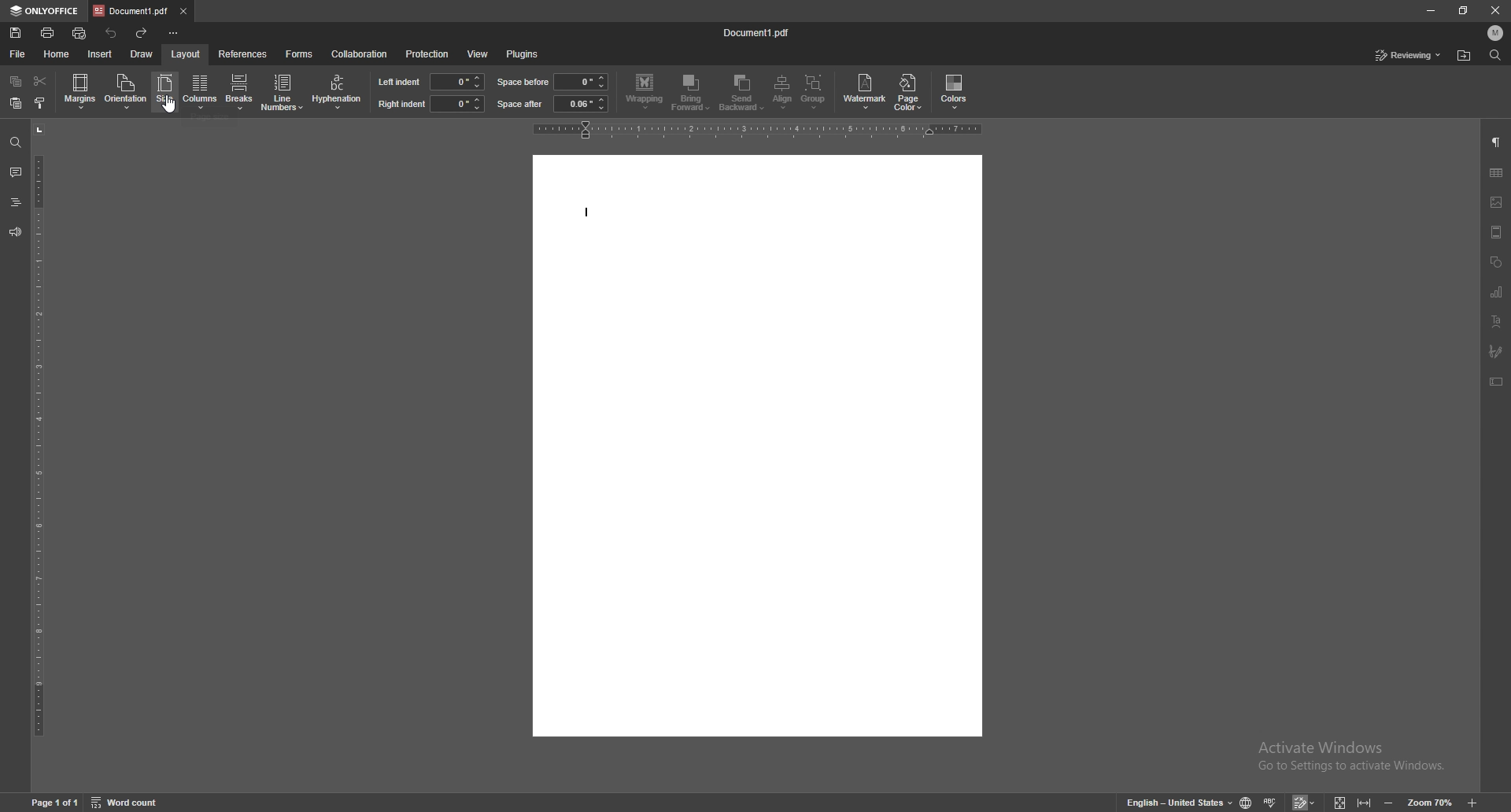  What do you see at coordinates (300, 54) in the screenshot?
I see `forms` at bounding box center [300, 54].